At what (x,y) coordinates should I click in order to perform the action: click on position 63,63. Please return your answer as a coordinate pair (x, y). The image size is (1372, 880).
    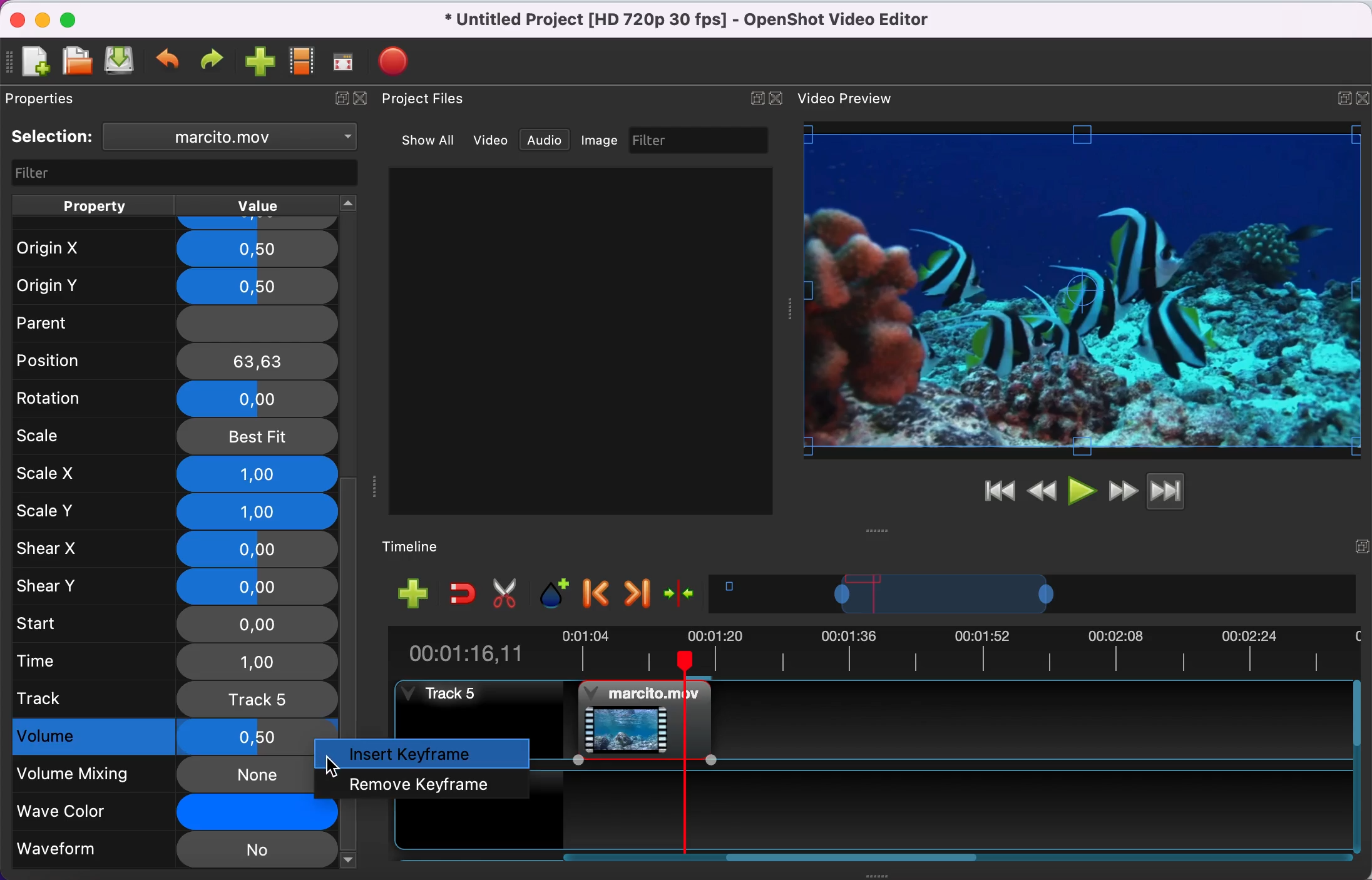
    Looking at the image, I should click on (178, 361).